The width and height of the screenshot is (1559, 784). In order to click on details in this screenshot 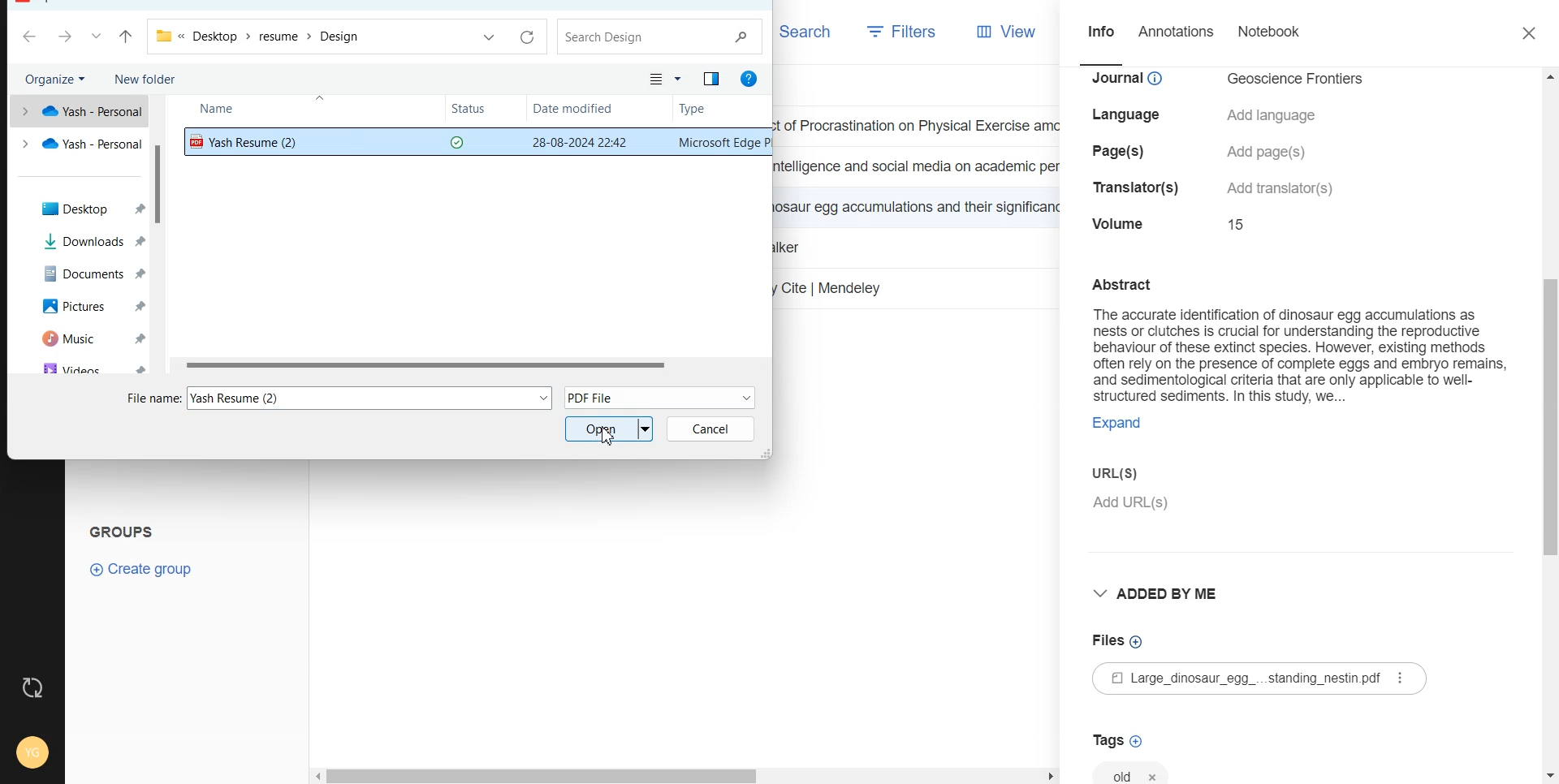, I will do `click(1132, 115)`.